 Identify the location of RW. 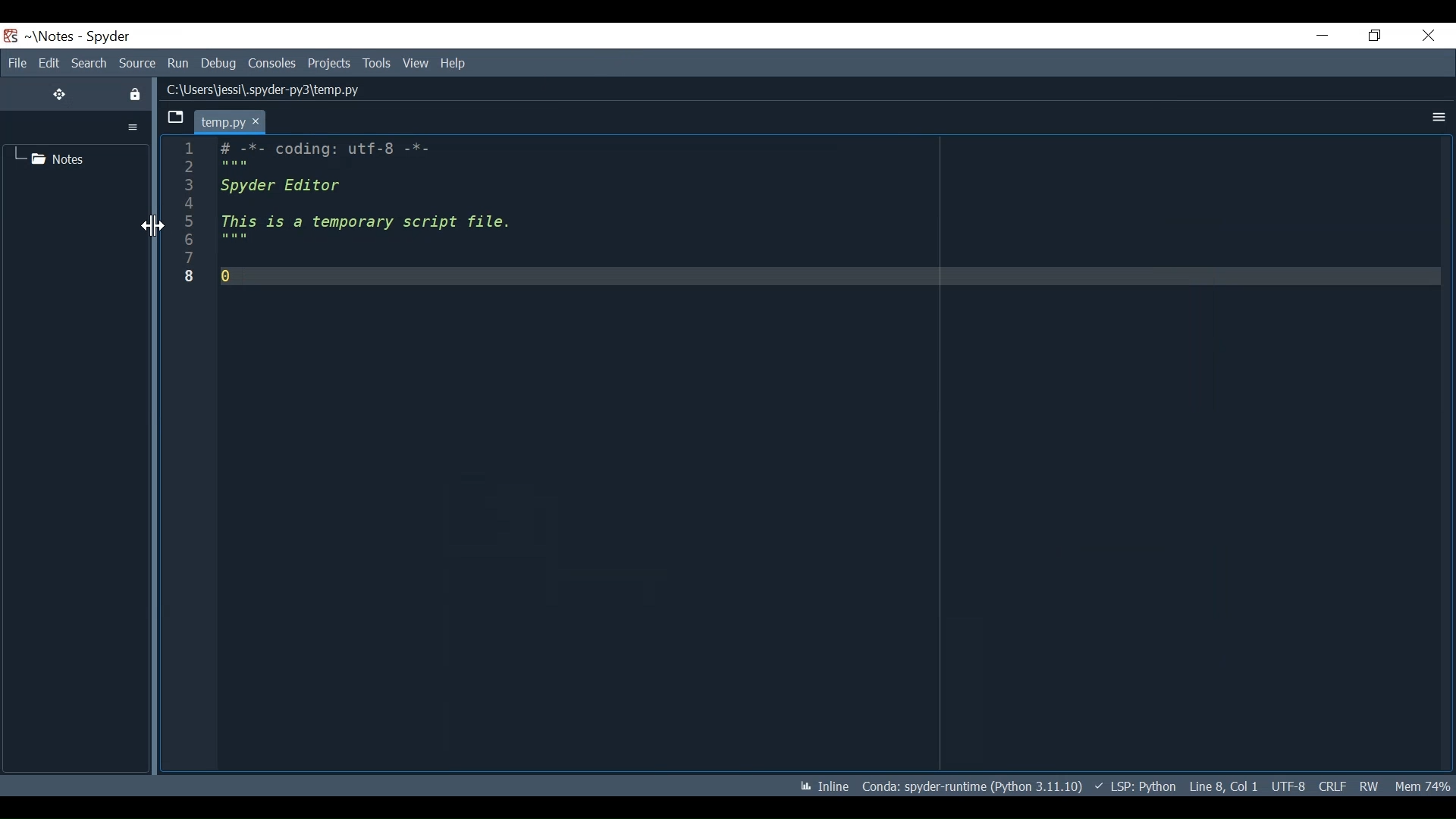
(1369, 783).